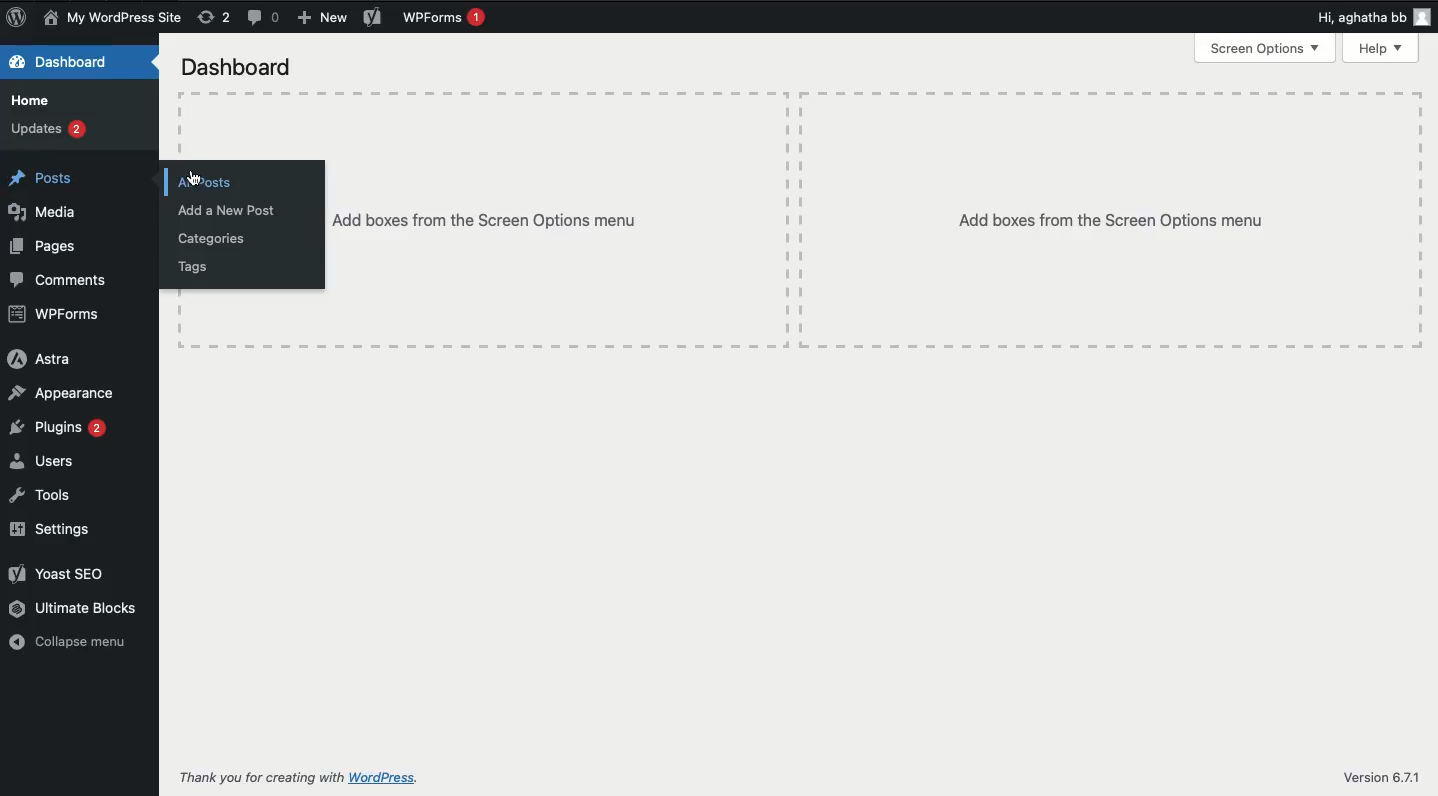 The height and width of the screenshot is (796, 1438). I want to click on Dashboard, so click(242, 67).